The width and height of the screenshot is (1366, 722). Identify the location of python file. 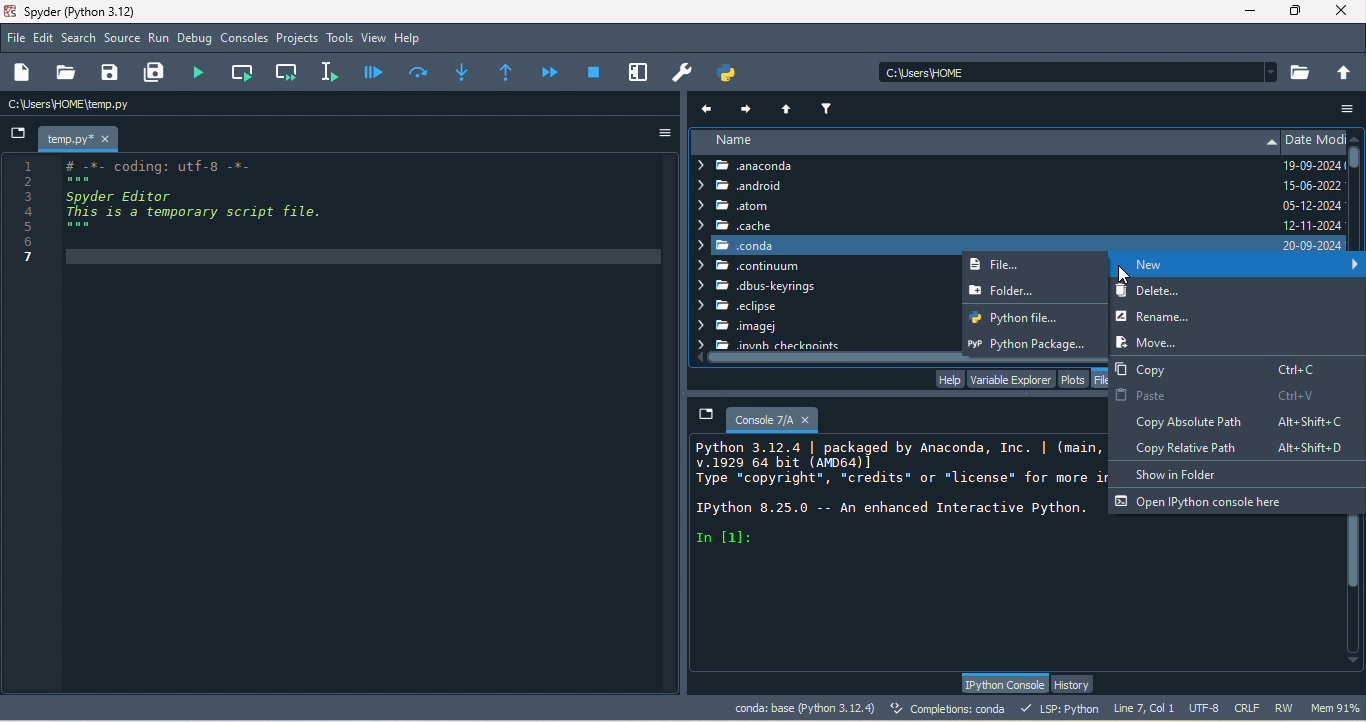
(1029, 317).